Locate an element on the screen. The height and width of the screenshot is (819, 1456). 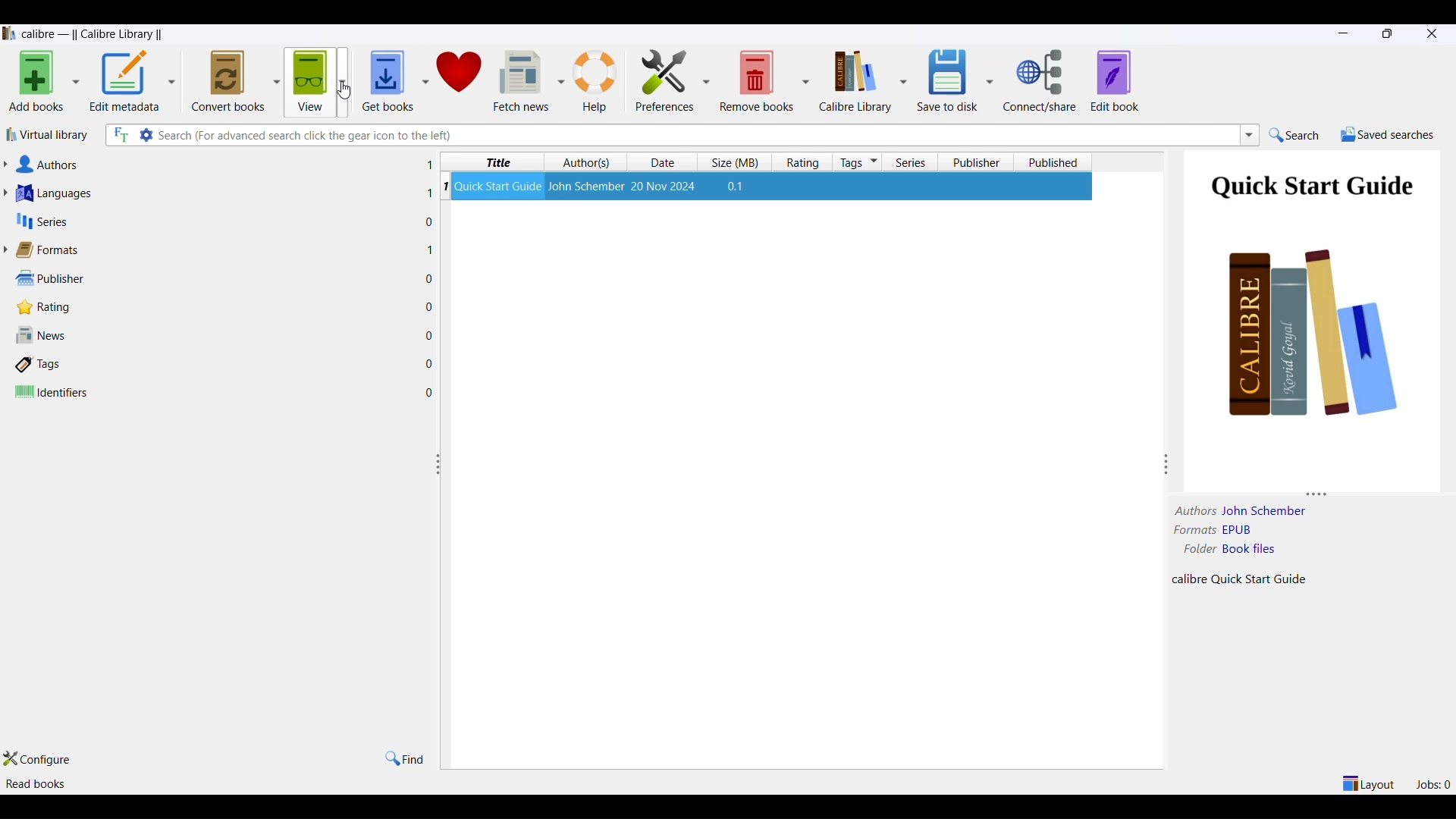
authors is located at coordinates (1191, 510).